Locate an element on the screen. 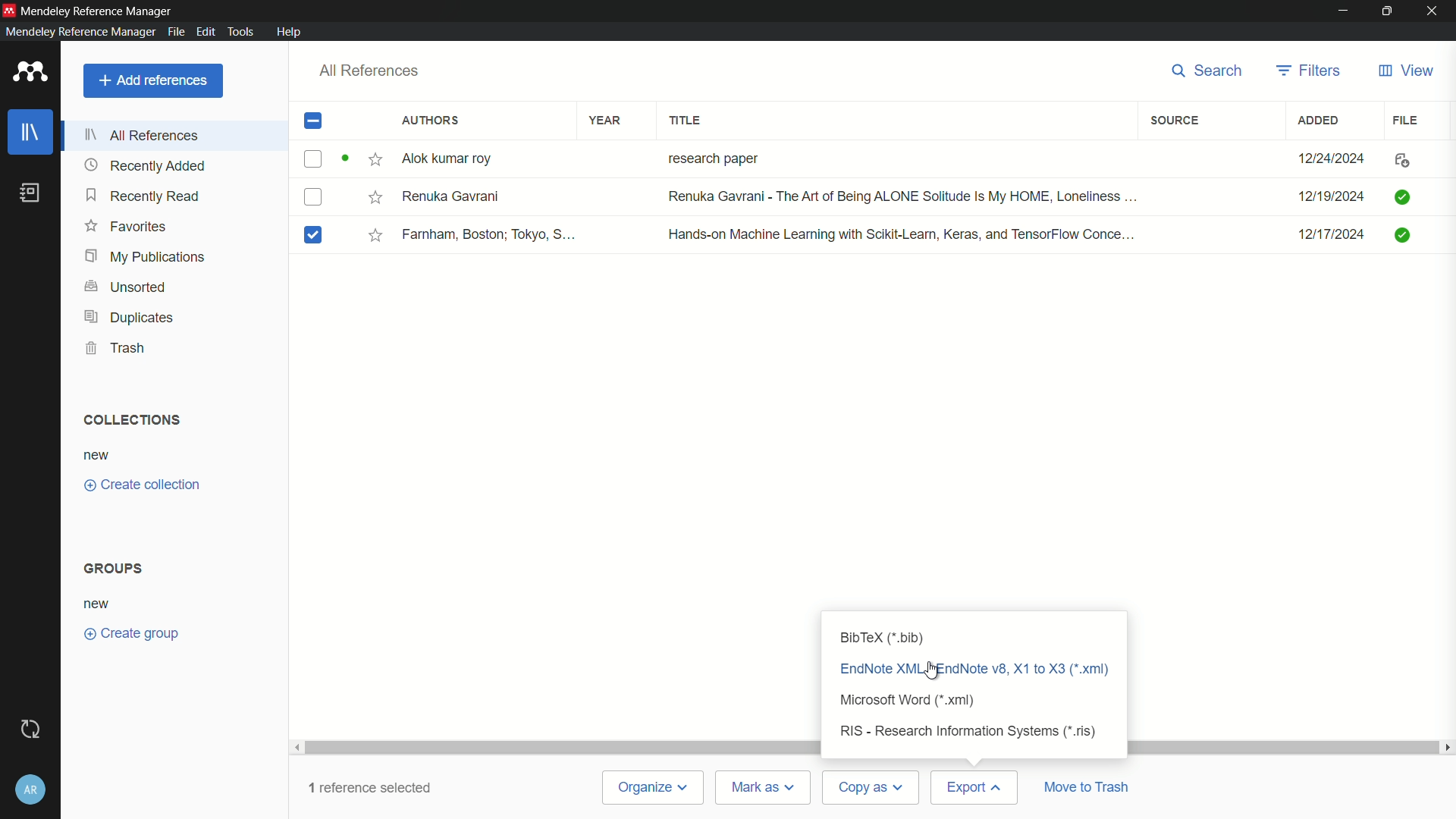 The height and width of the screenshot is (819, 1456). move to trash is located at coordinates (1087, 786).